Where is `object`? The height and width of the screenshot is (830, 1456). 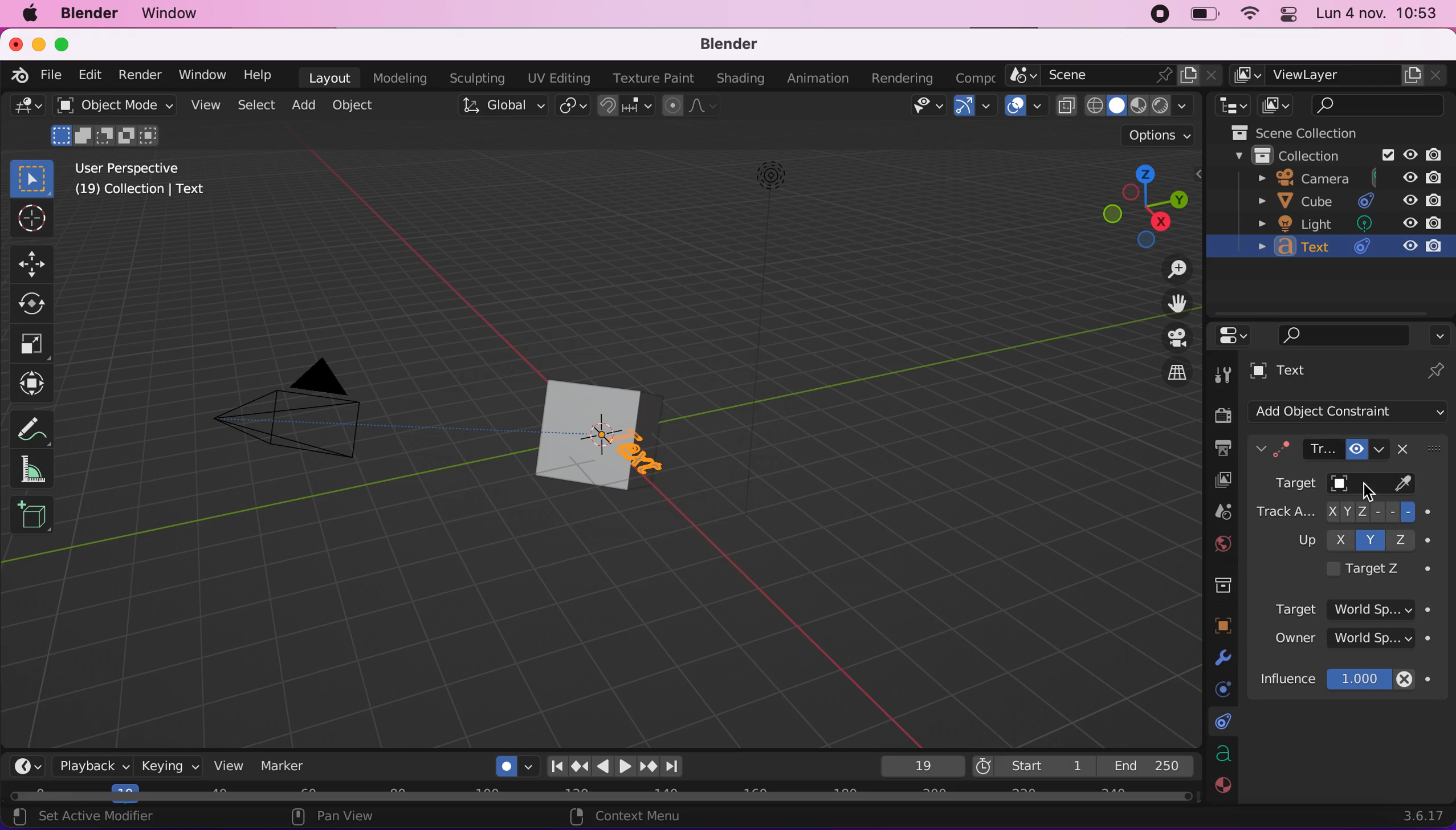 object is located at coordinates (360, 106).